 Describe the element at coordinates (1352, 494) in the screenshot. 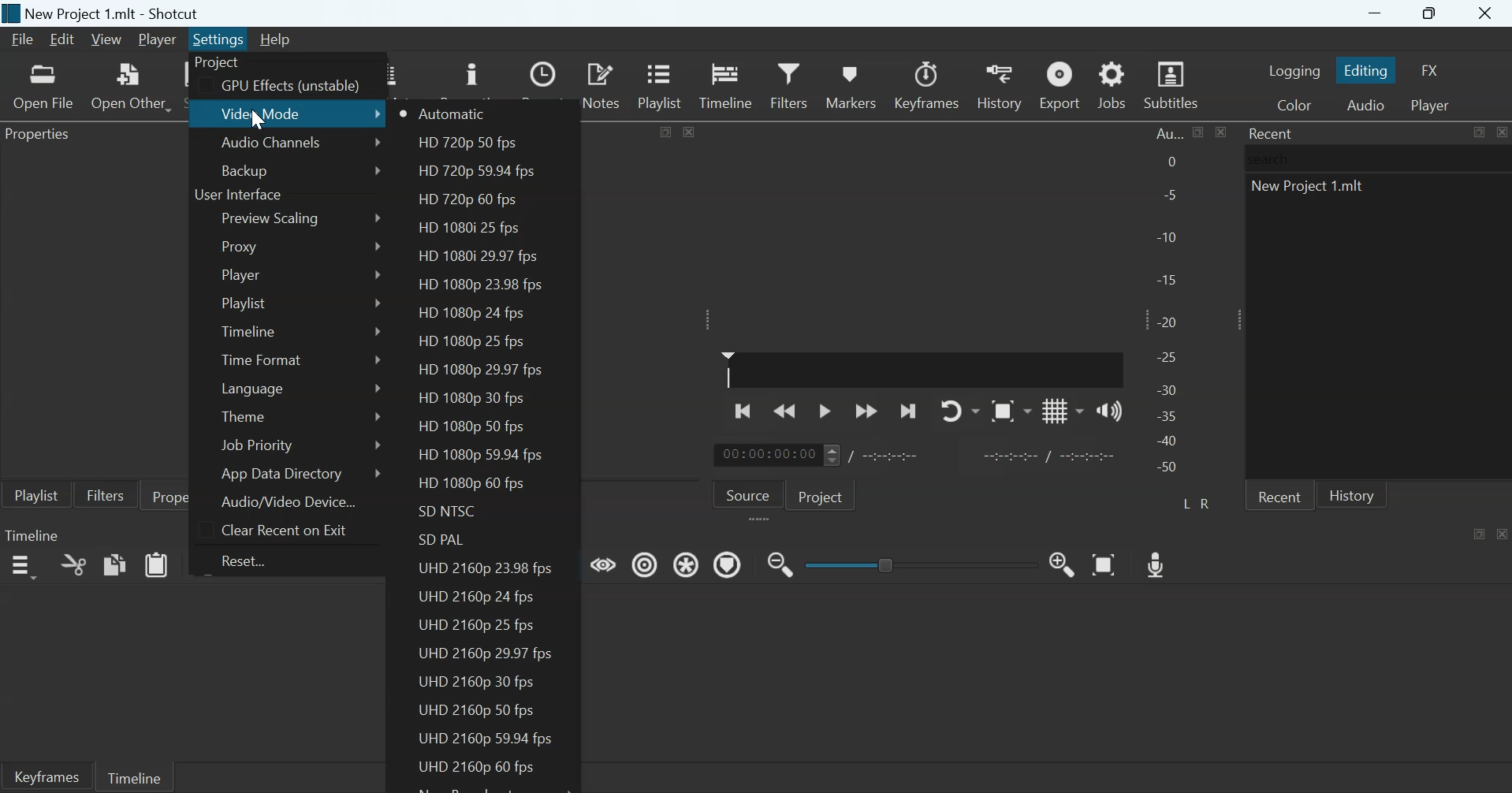

I see `History` at that location.